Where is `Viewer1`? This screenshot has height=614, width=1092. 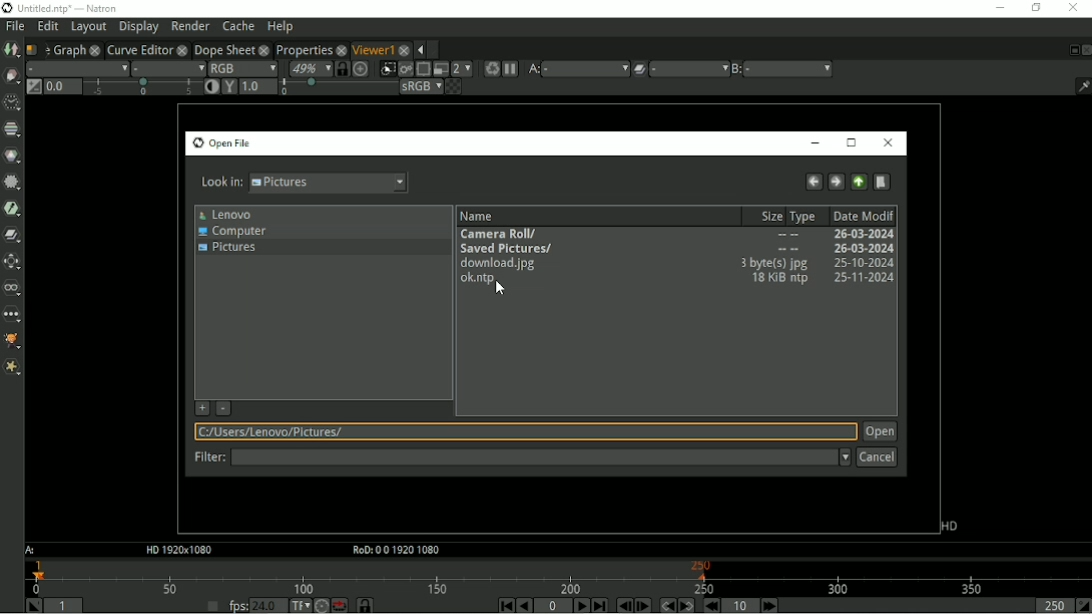
Viewer1 is located at coordinates (372, 49).